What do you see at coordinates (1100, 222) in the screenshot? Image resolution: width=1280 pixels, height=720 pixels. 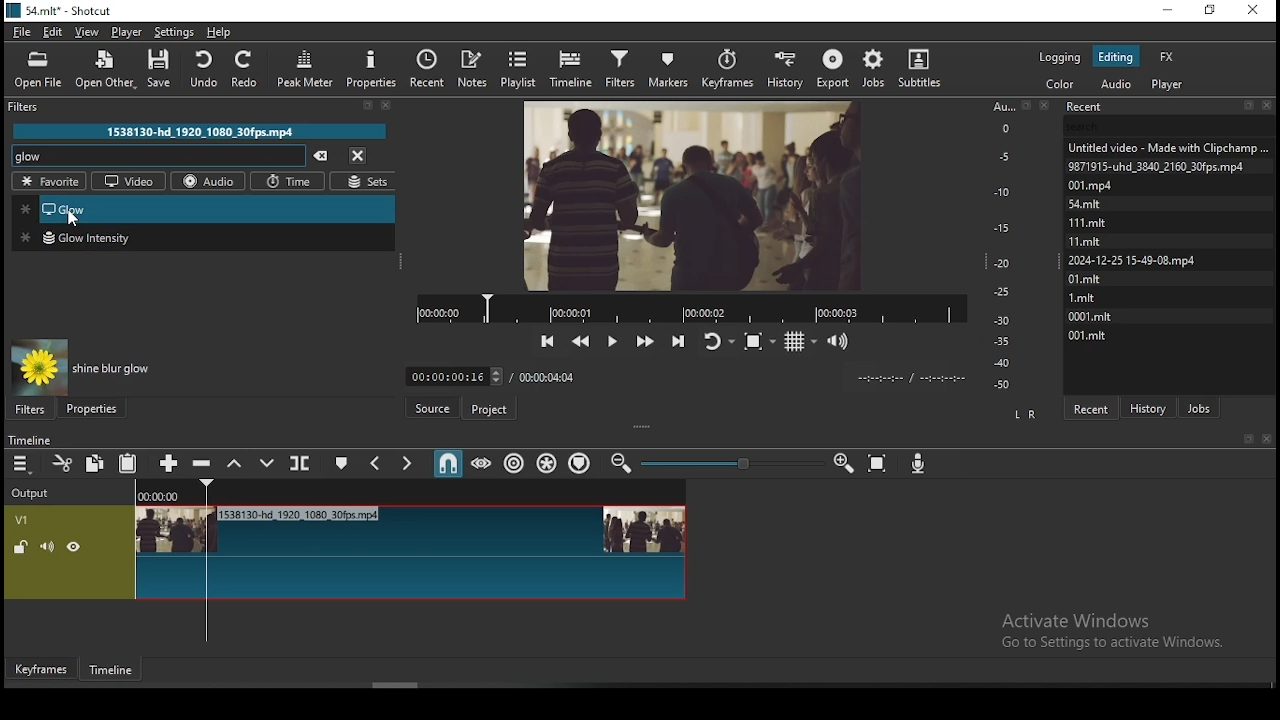 I see `111.mit` at bounding box center [1100, 222].